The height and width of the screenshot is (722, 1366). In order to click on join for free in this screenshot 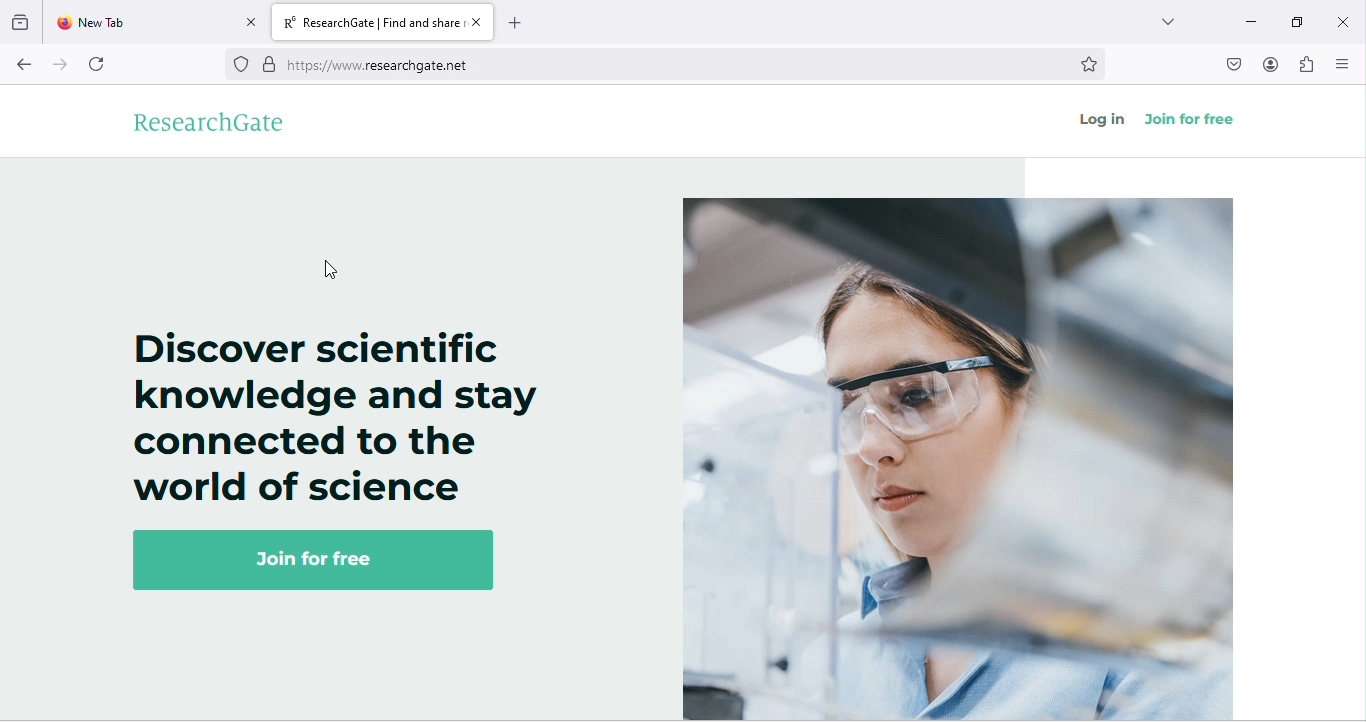, I will do `click(316, 563)`.